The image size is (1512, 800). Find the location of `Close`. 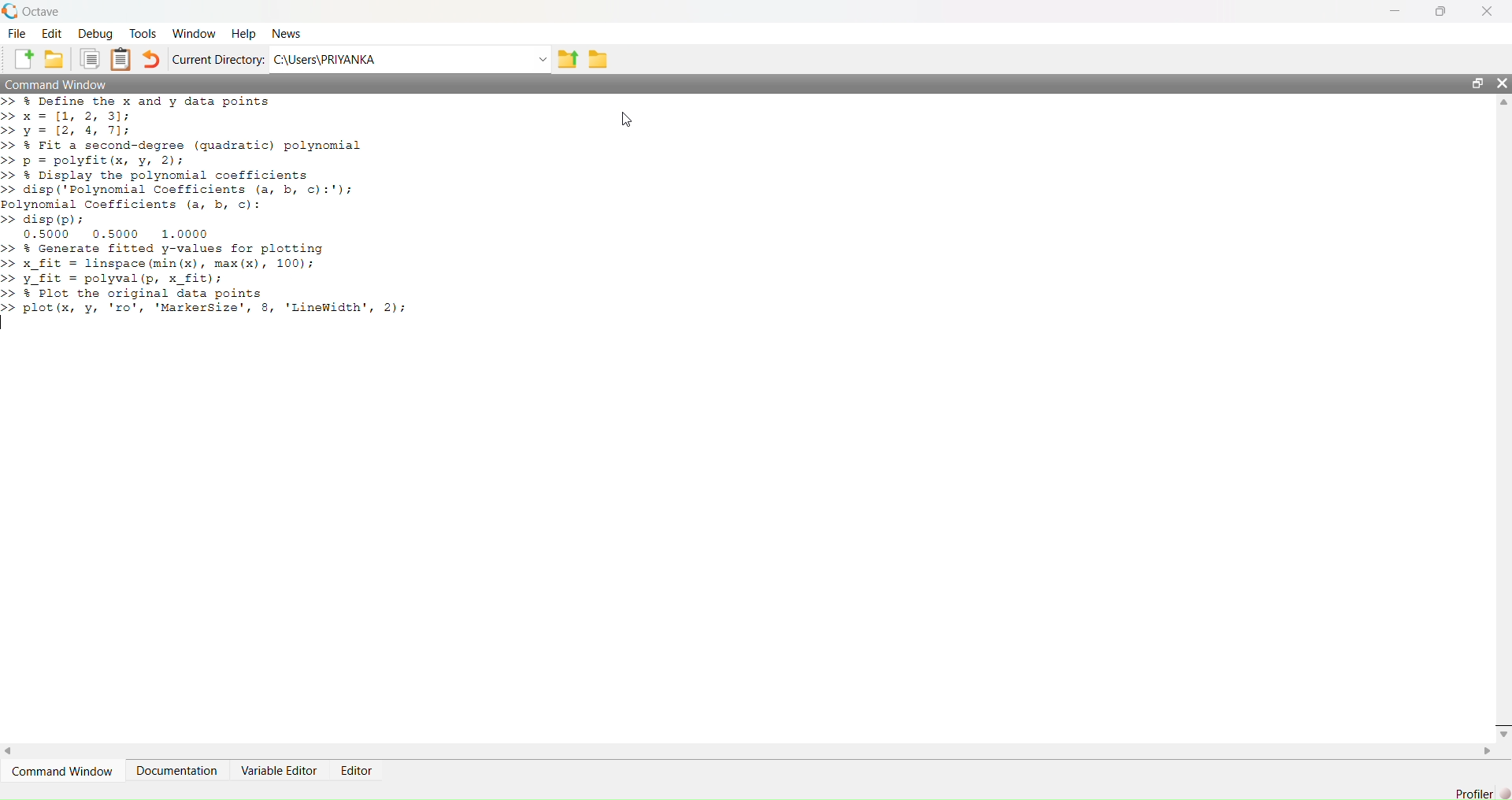

Close is located at coordinates (1503, 82).